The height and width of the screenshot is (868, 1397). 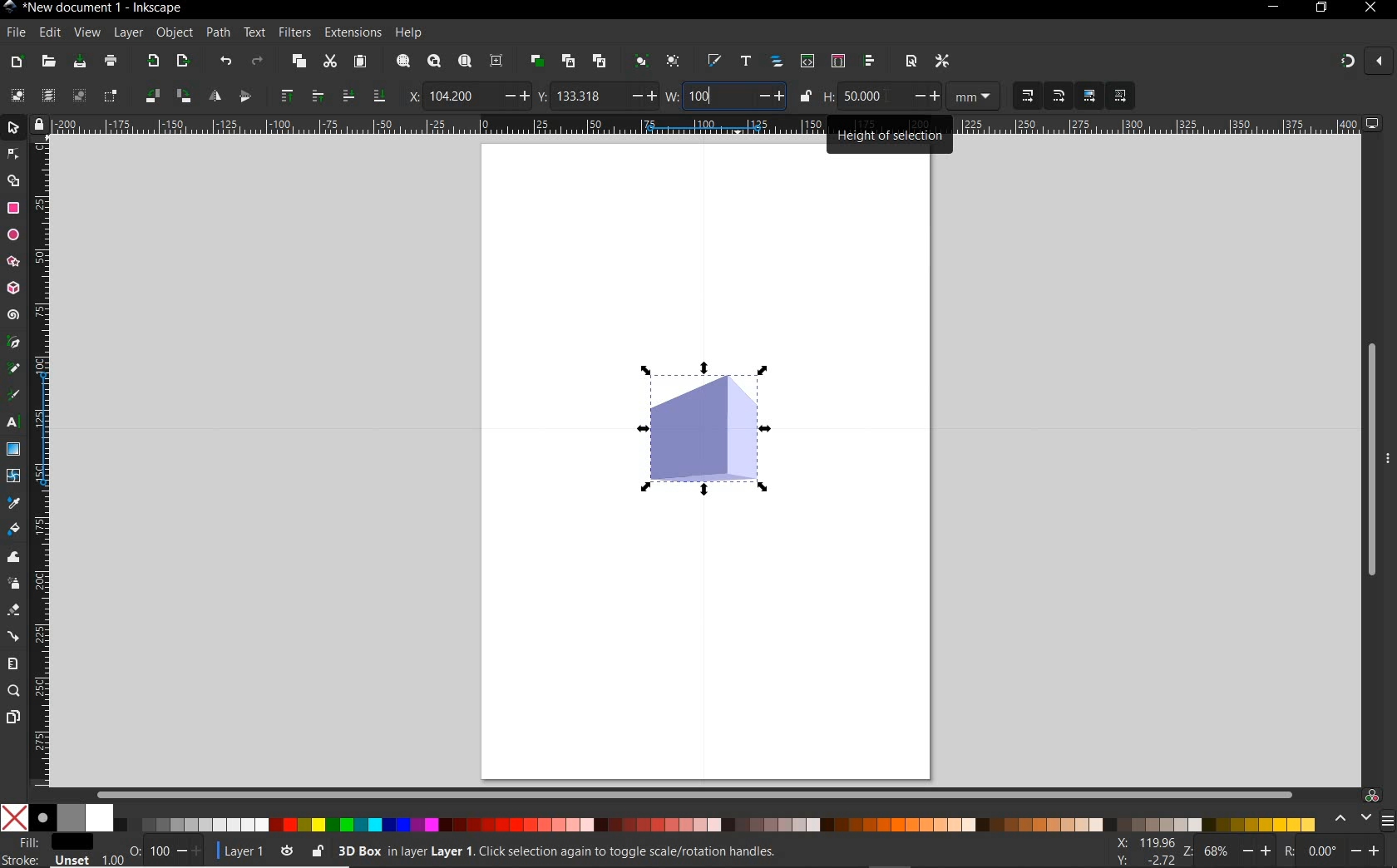 What do you see at coordinates (870, 61) in the screenshot?
I see `open align and distribute` at bounding box center [870, 61].